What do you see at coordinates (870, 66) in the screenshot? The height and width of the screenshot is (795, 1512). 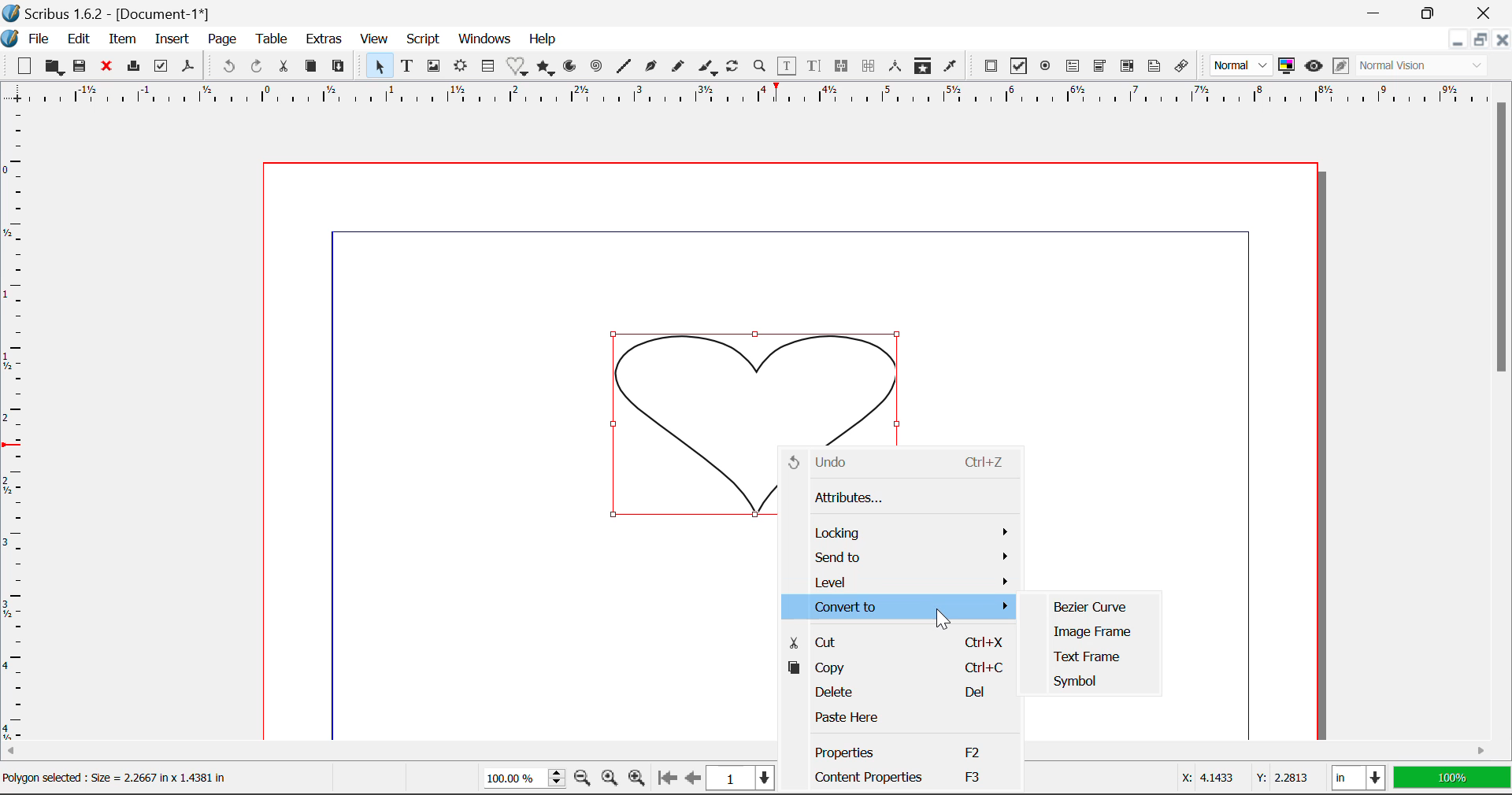 I see `Delink Text Frames` at bounding box center [870, 66].